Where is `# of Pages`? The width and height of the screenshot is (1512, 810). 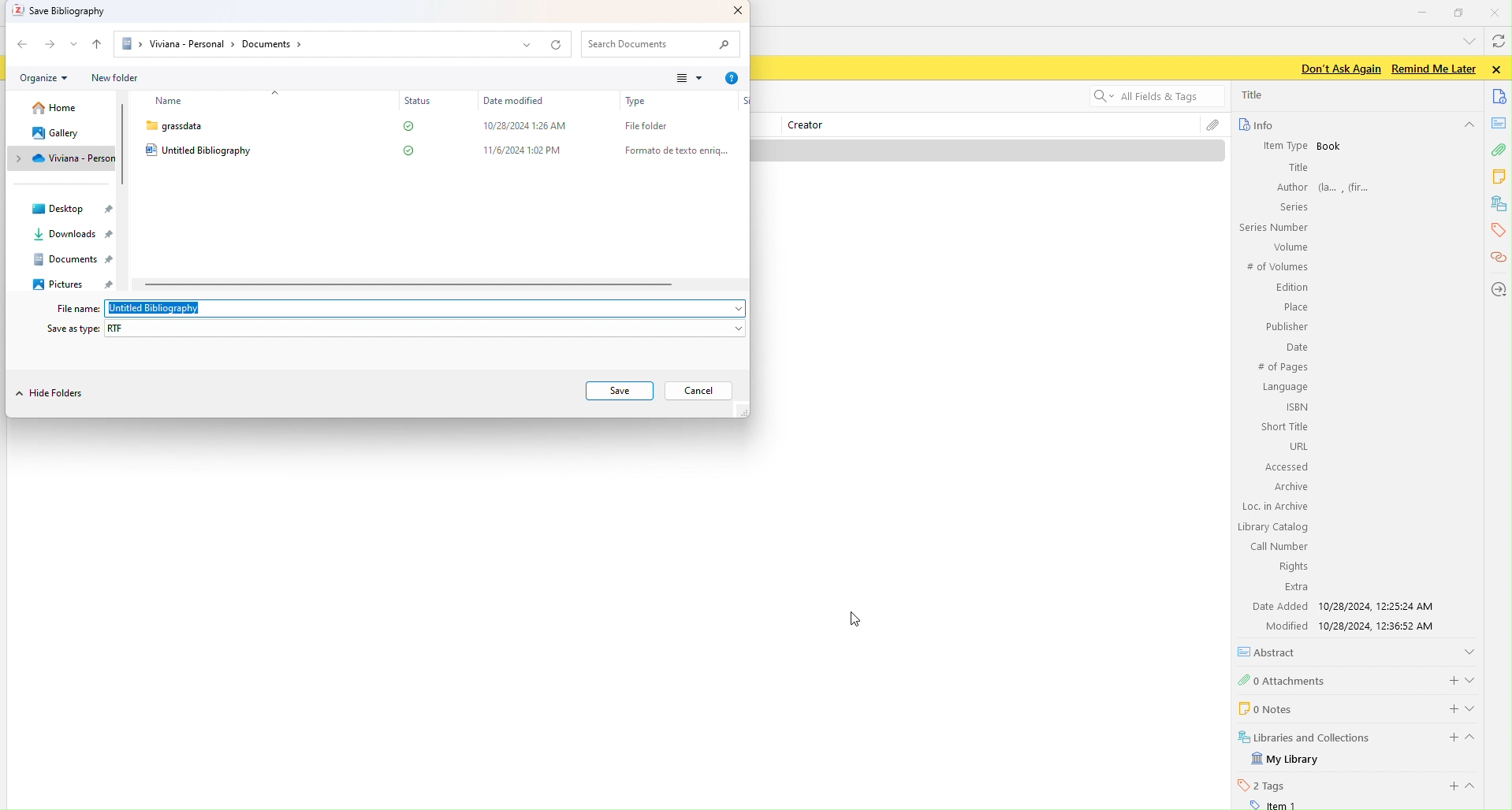 # of Pages is located at coordinates (1282, 368).